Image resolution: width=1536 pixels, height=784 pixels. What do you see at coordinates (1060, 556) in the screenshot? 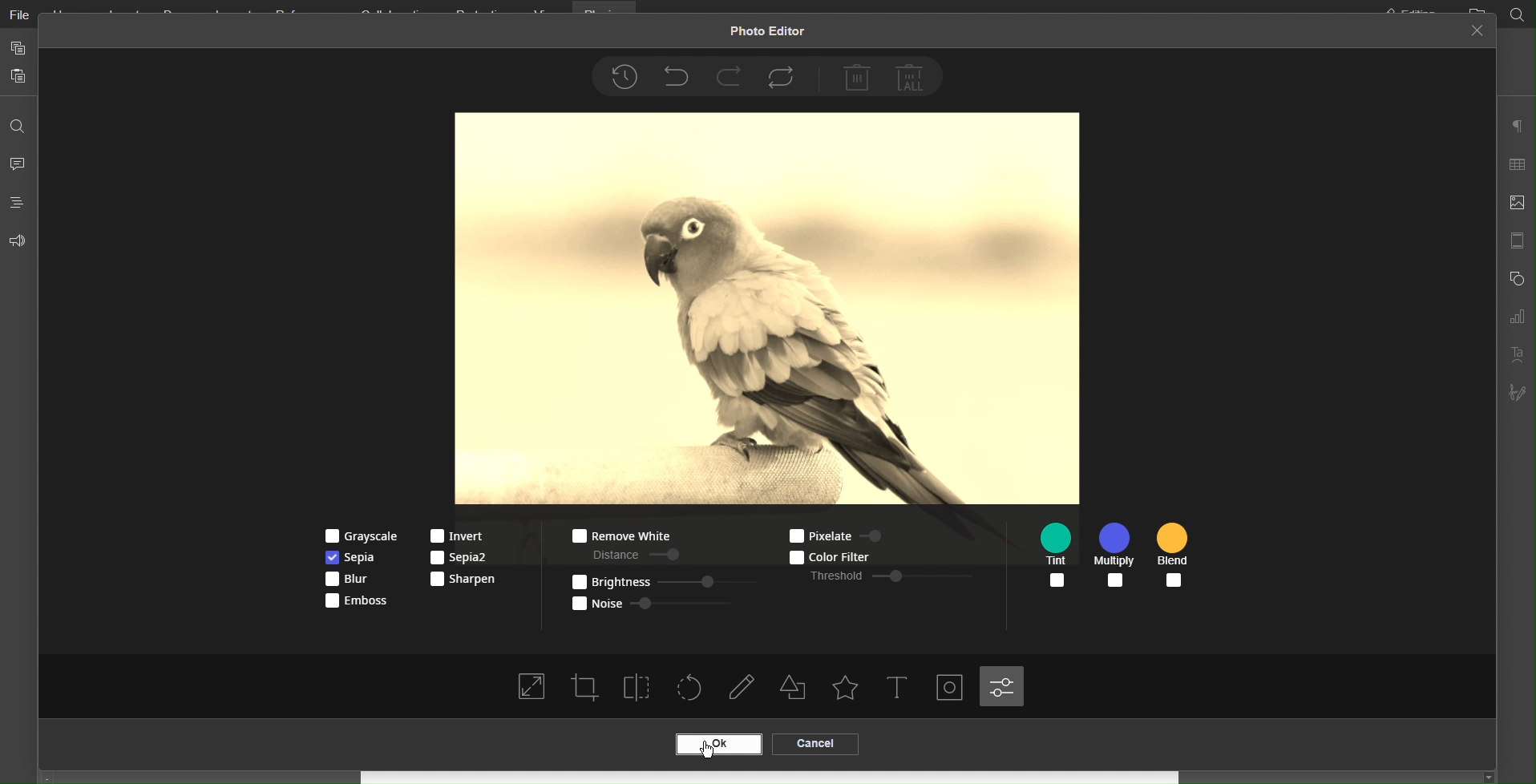
I see `Tint` at bounding box center [1060, 556].